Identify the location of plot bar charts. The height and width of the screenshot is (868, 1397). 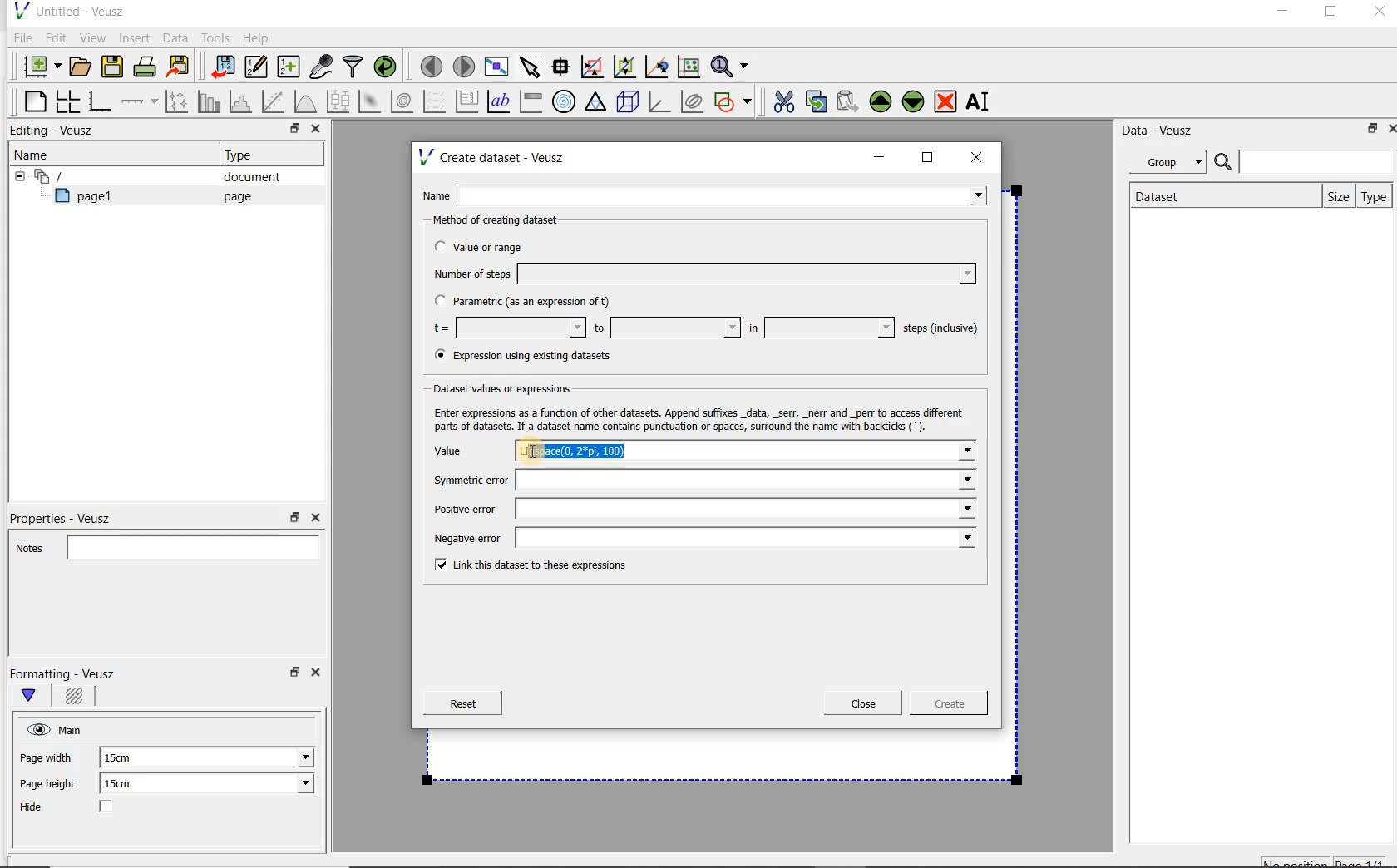
(210, 101).